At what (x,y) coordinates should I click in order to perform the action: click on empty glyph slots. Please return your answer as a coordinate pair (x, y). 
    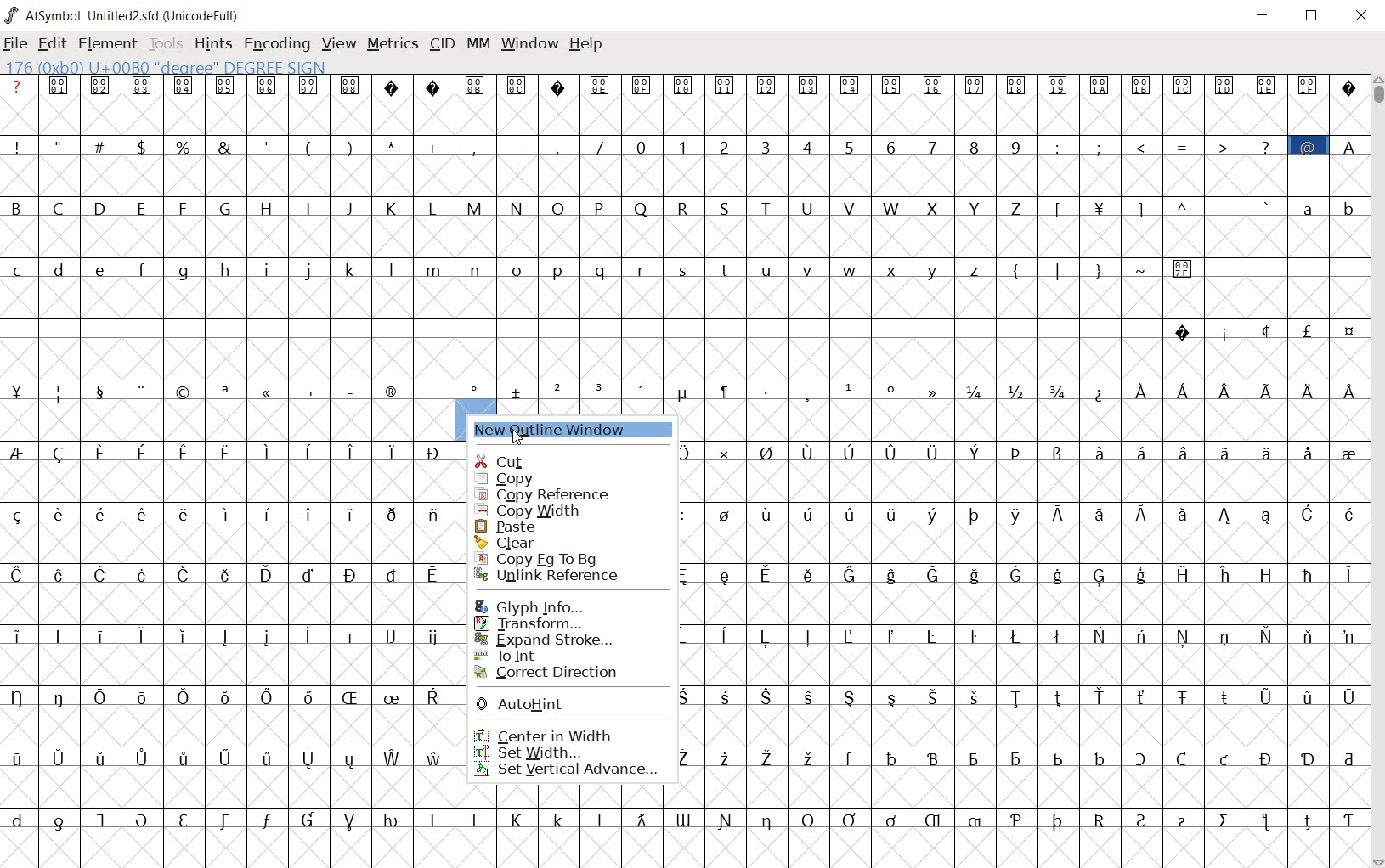
    Looking at the image, I should click on (1024, 604).